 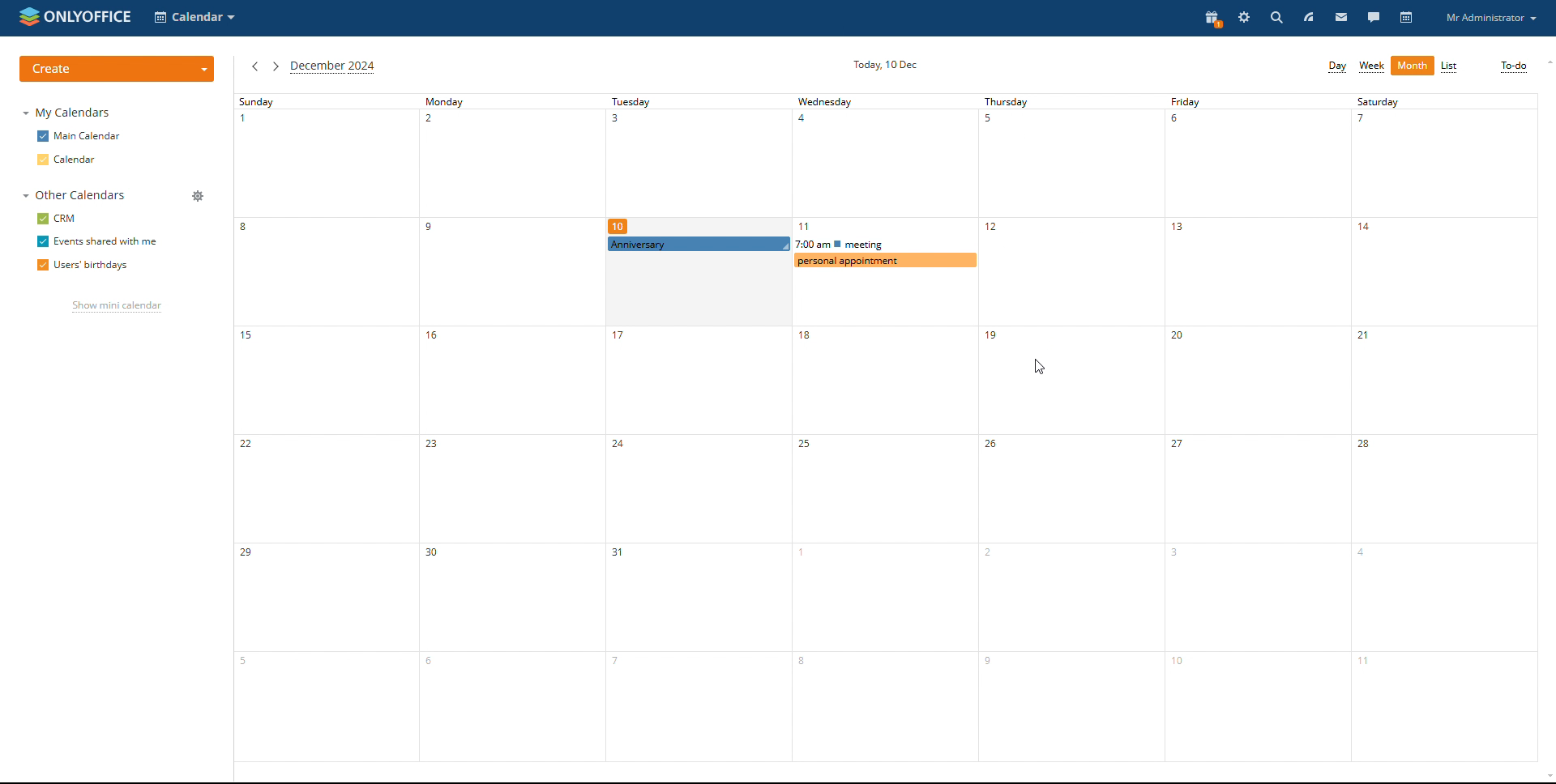 I want to click on search, so click(x=1275, y=18).